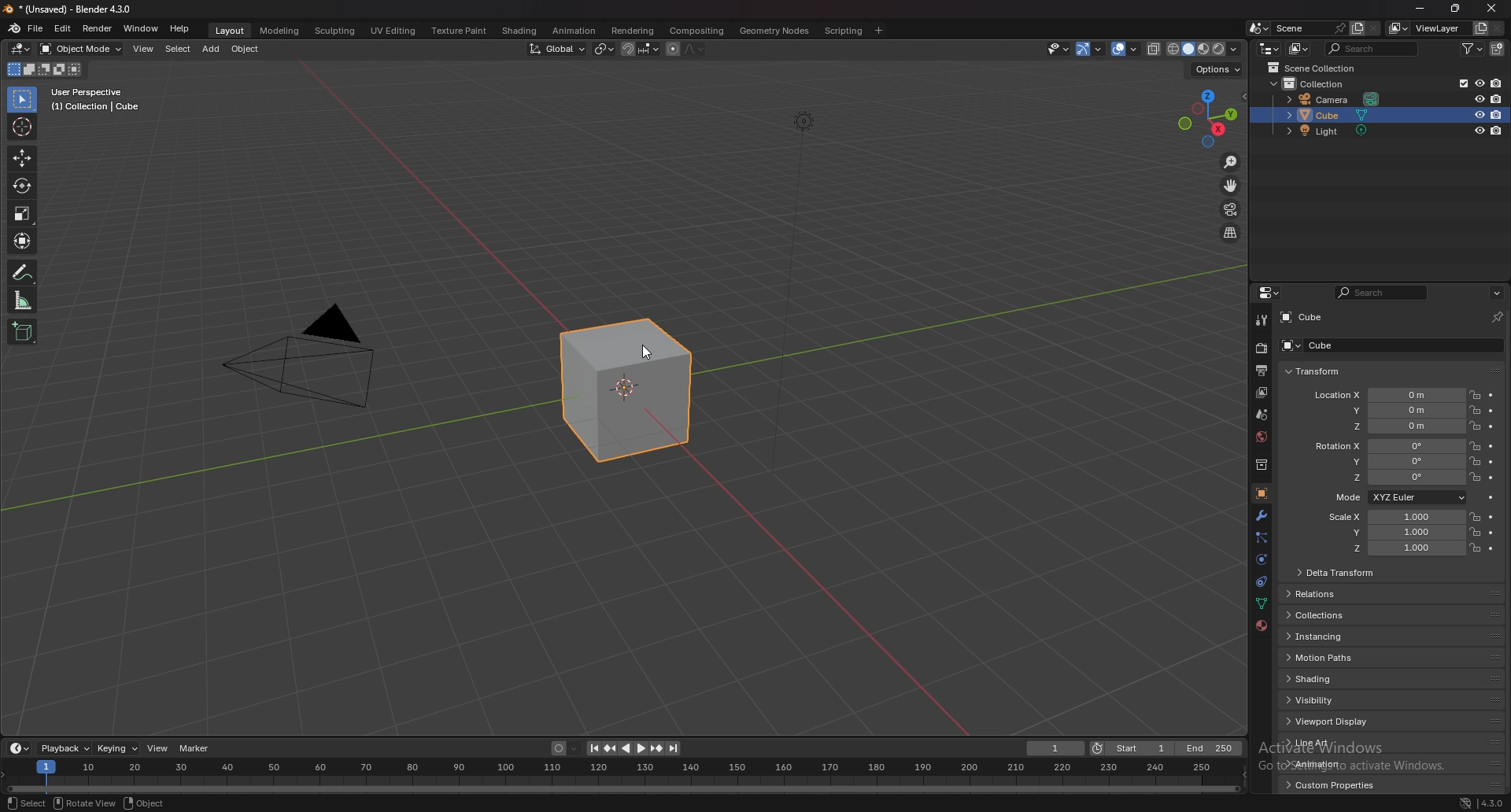 The width and height of the screenshot is (1511, 812). I want to click on shading, so click(521, 30).